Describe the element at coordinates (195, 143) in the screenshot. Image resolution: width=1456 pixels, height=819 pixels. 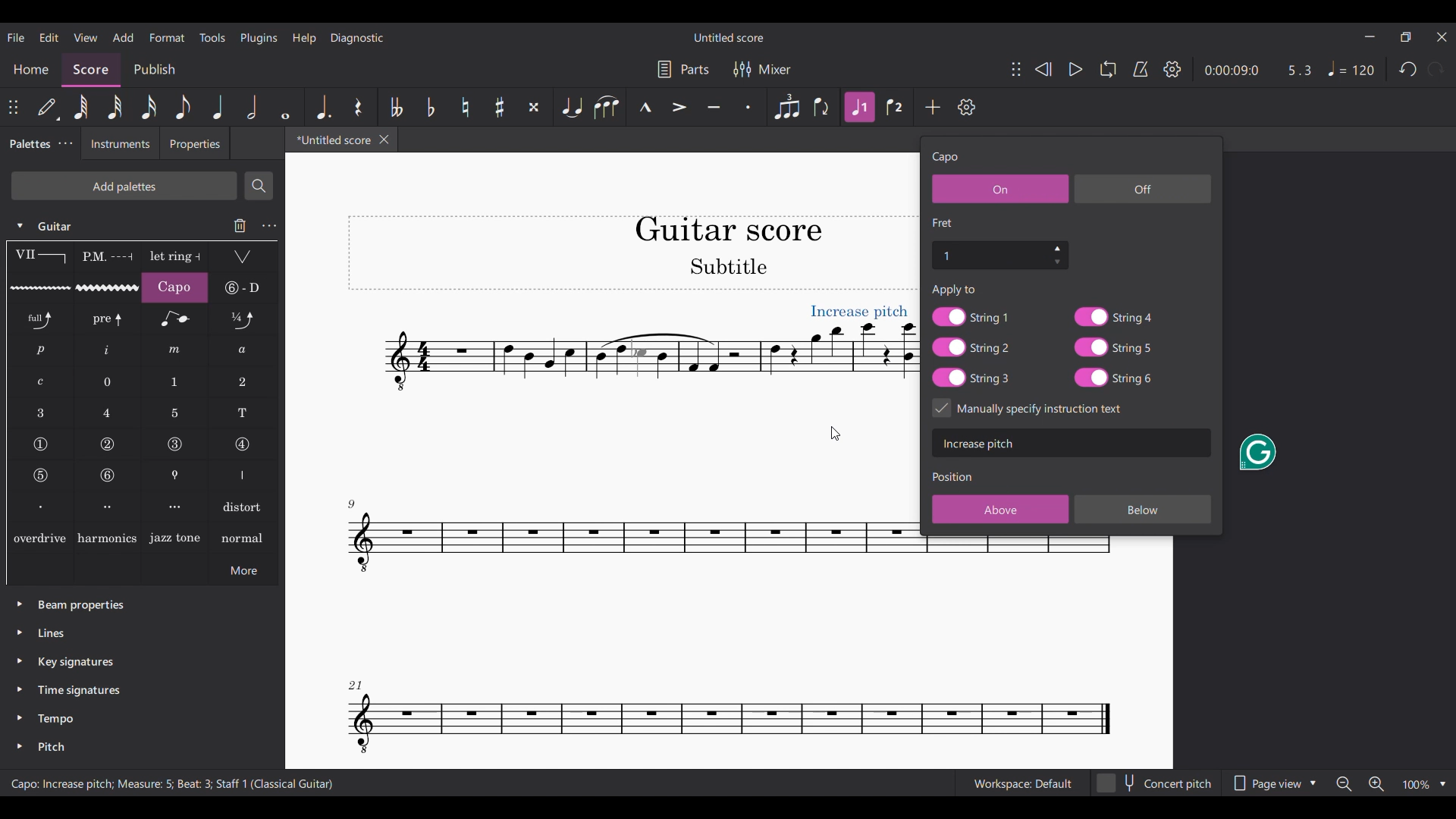
I see `Properties tab` at that location.